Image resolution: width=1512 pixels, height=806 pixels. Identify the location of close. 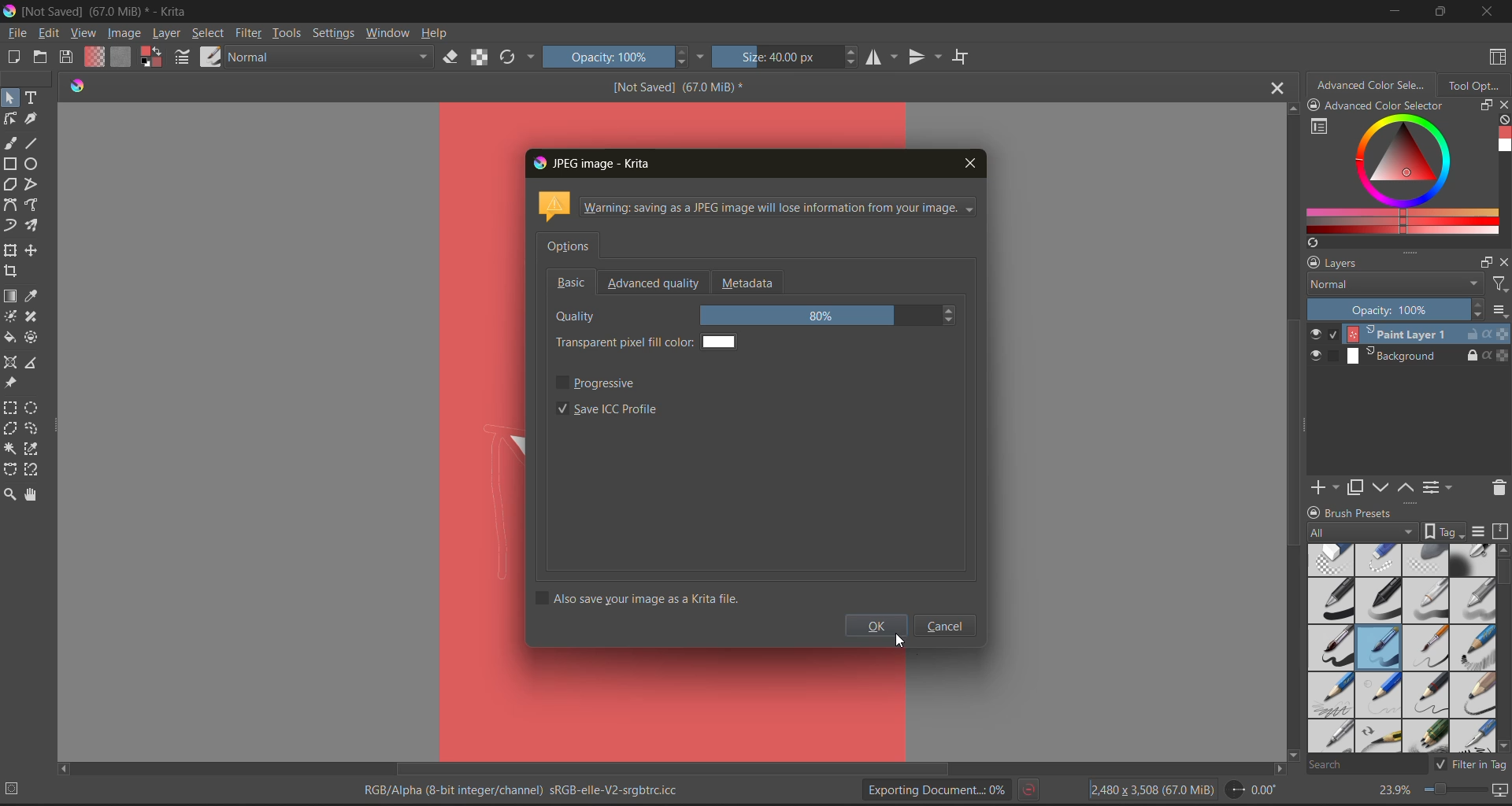
(1503, 264).